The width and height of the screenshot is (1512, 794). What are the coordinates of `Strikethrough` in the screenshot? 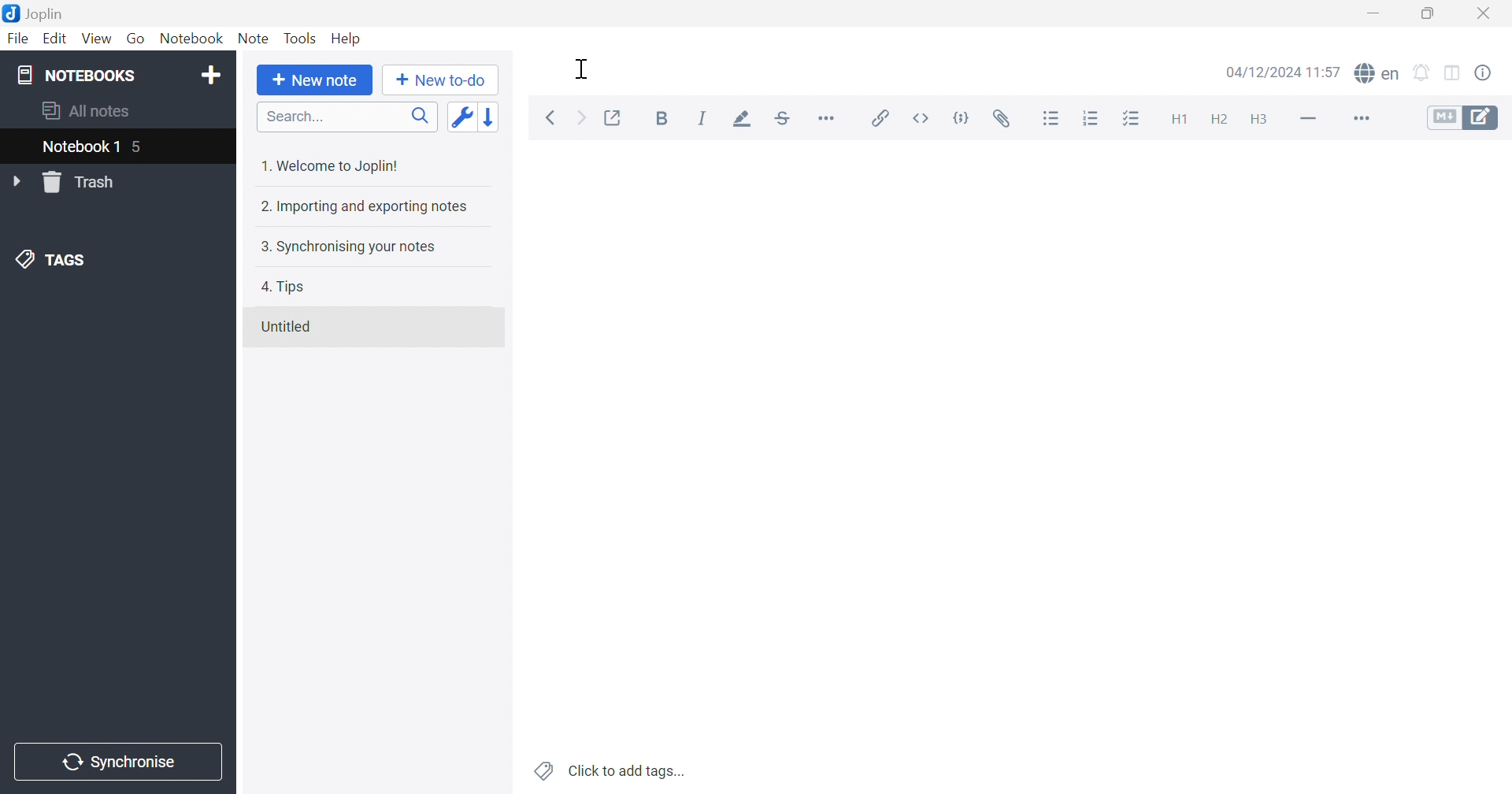 It's located at (782, 118).